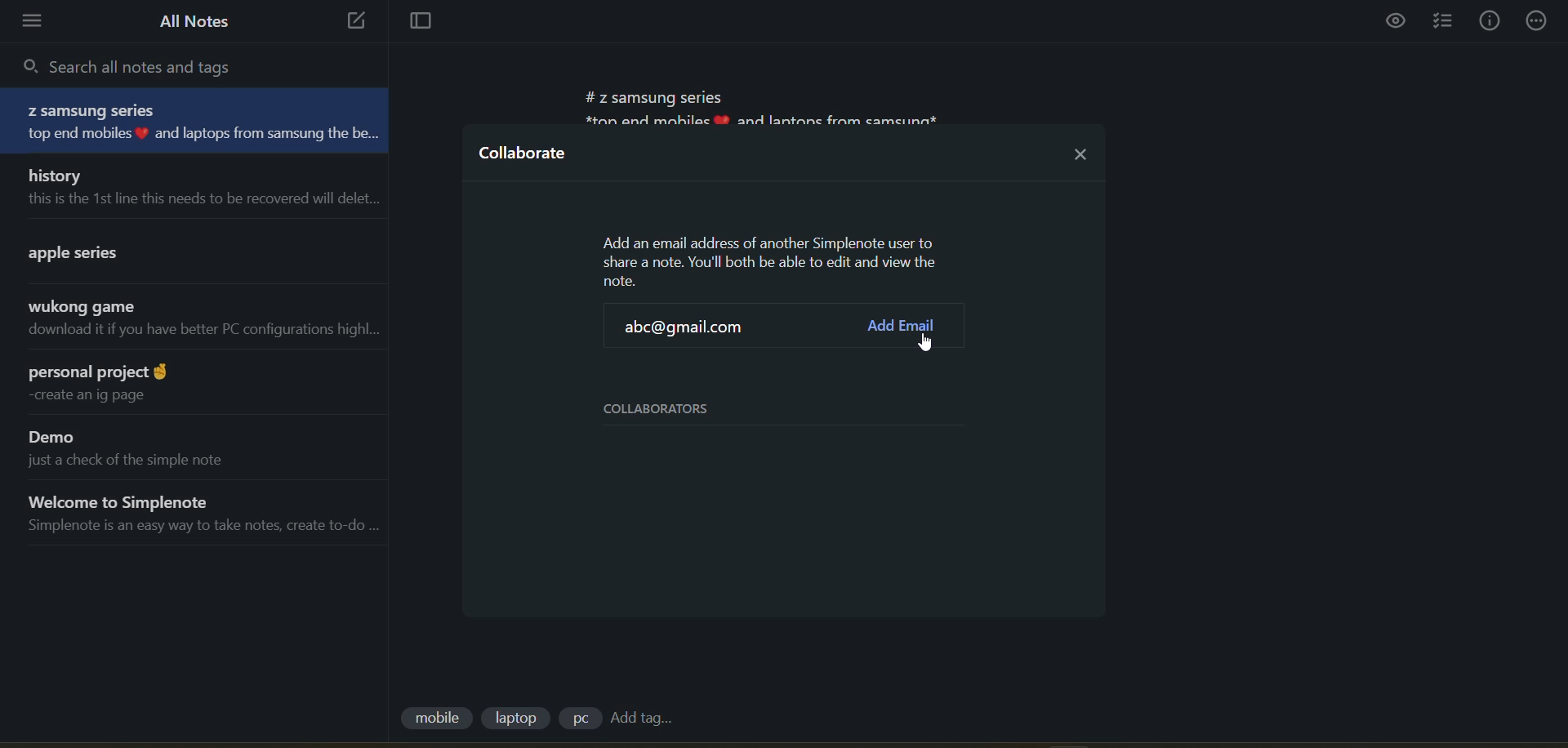 Image resolution: width=1568 pixels, height=748 pixels. I want to click on cursor, so click(929, 343).